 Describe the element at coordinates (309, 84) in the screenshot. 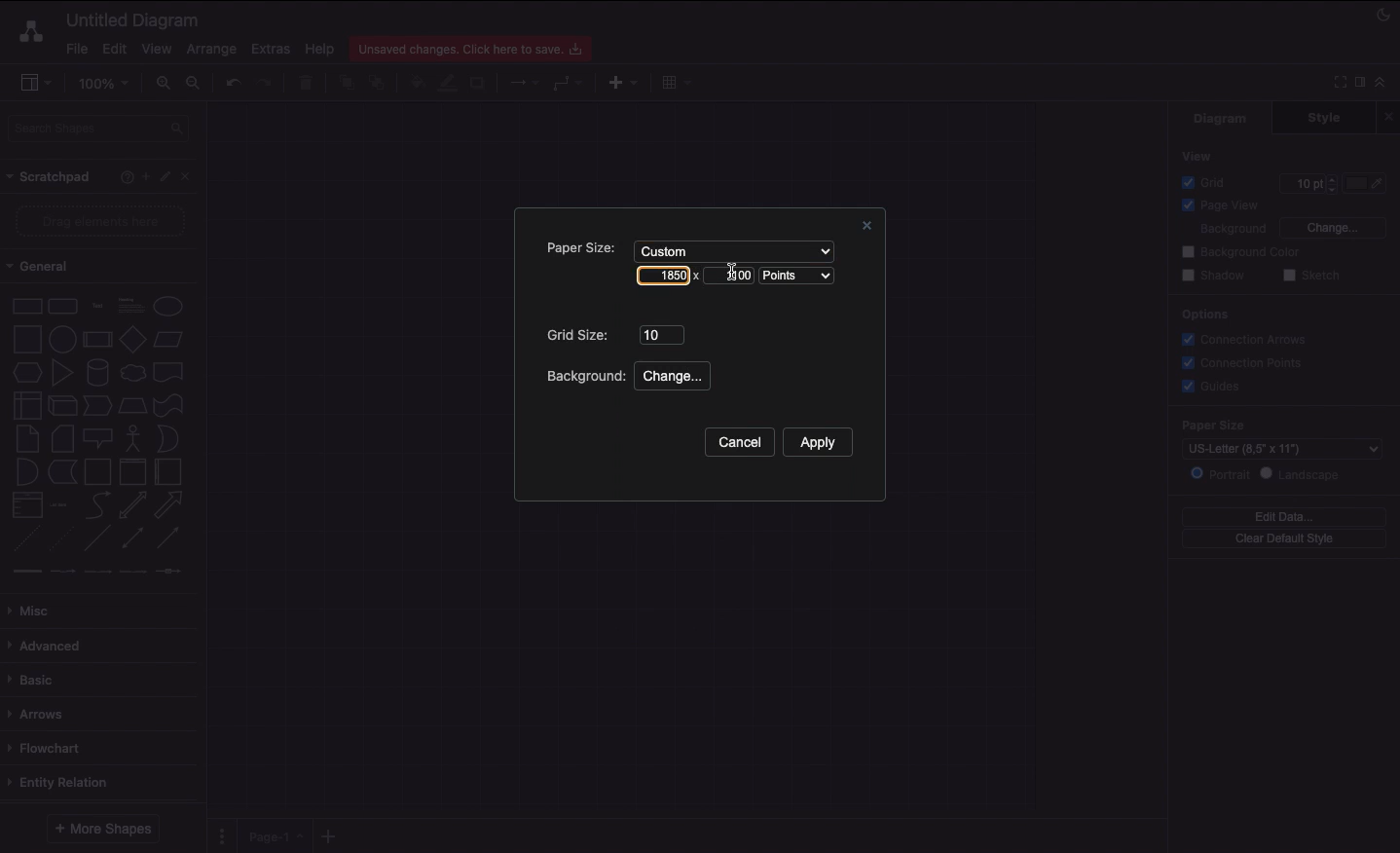

I see `Trash` at that location.